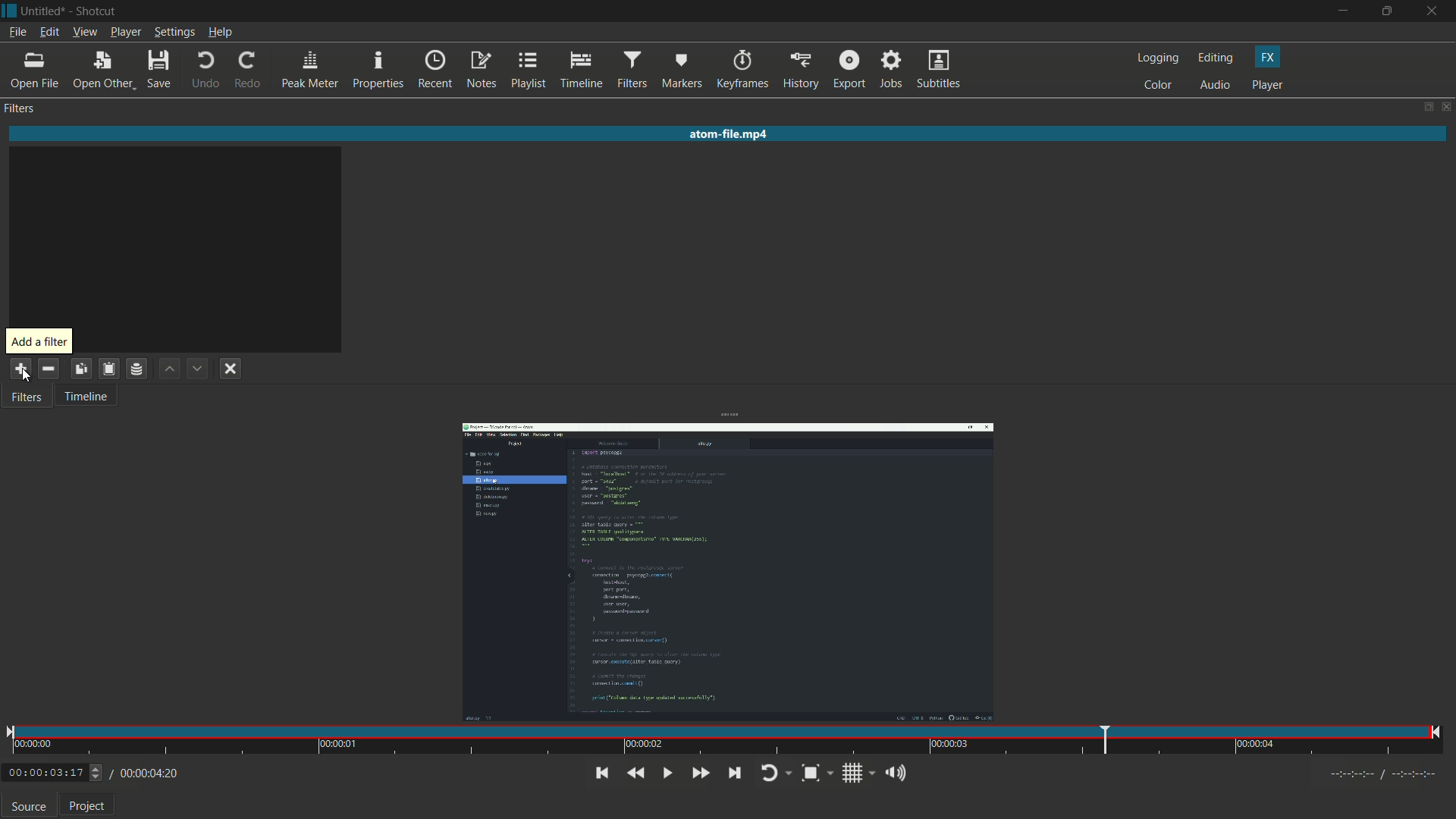  Describe the element at coordinates (249, 67) in the screenshot. I see `redo` at that location.